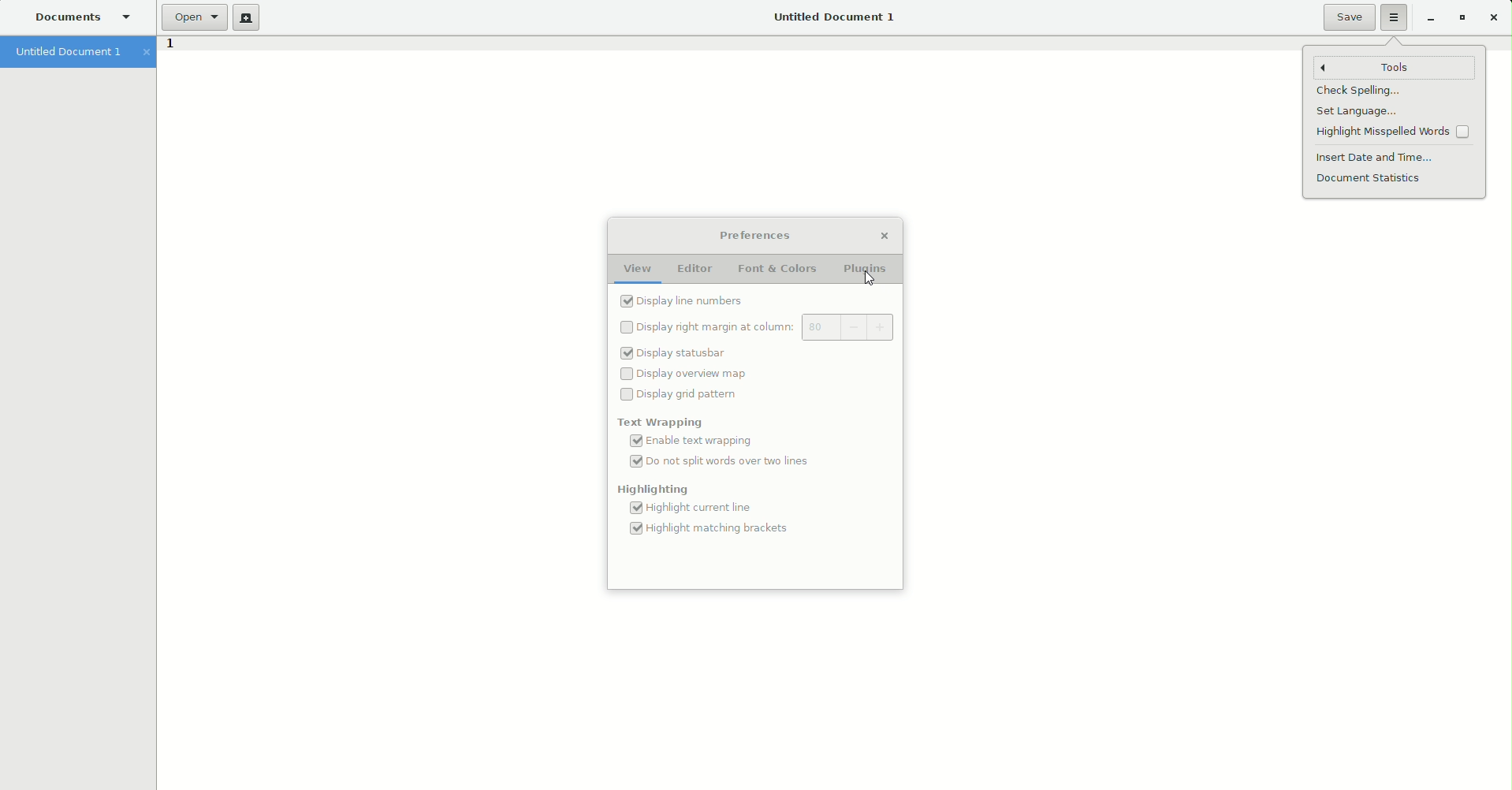  What do you see at coordinates (1371, 179) in the screenshot?
I see `Document statistics` at bounding box center [1371, 179].